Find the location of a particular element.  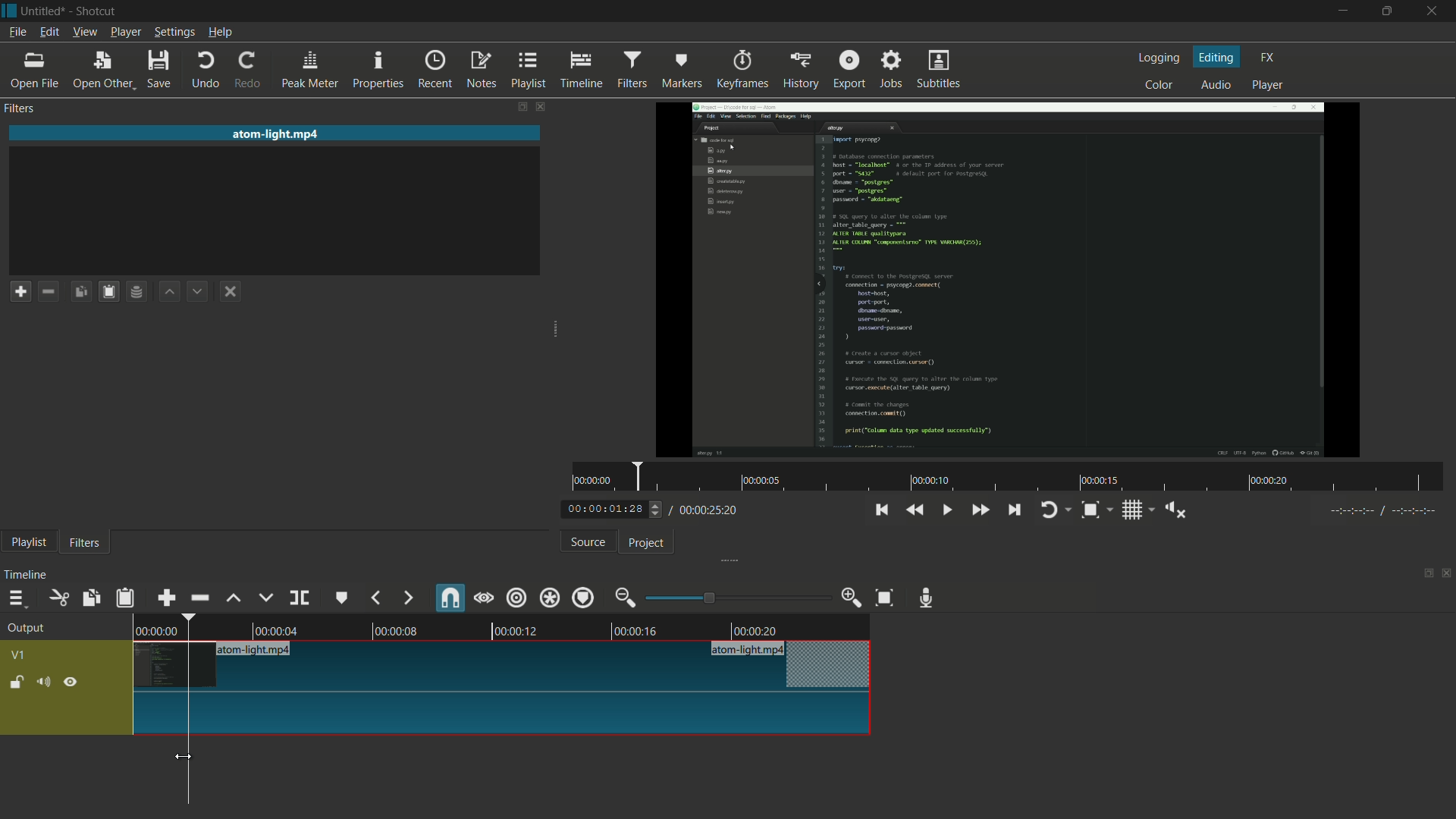

change layout is located at coordinates (1423, 572).